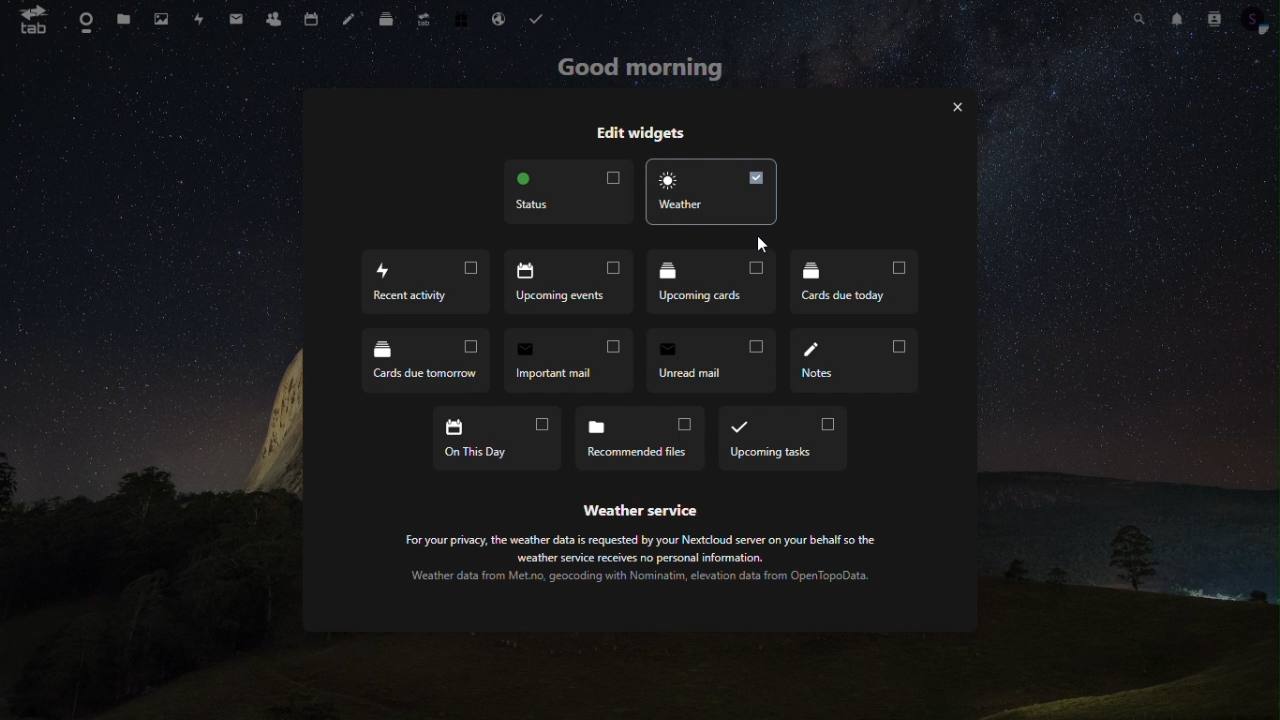  What do you see at coordinates (124, 18) in the screenshot?
I see `files` at bounding box center [124, 18].